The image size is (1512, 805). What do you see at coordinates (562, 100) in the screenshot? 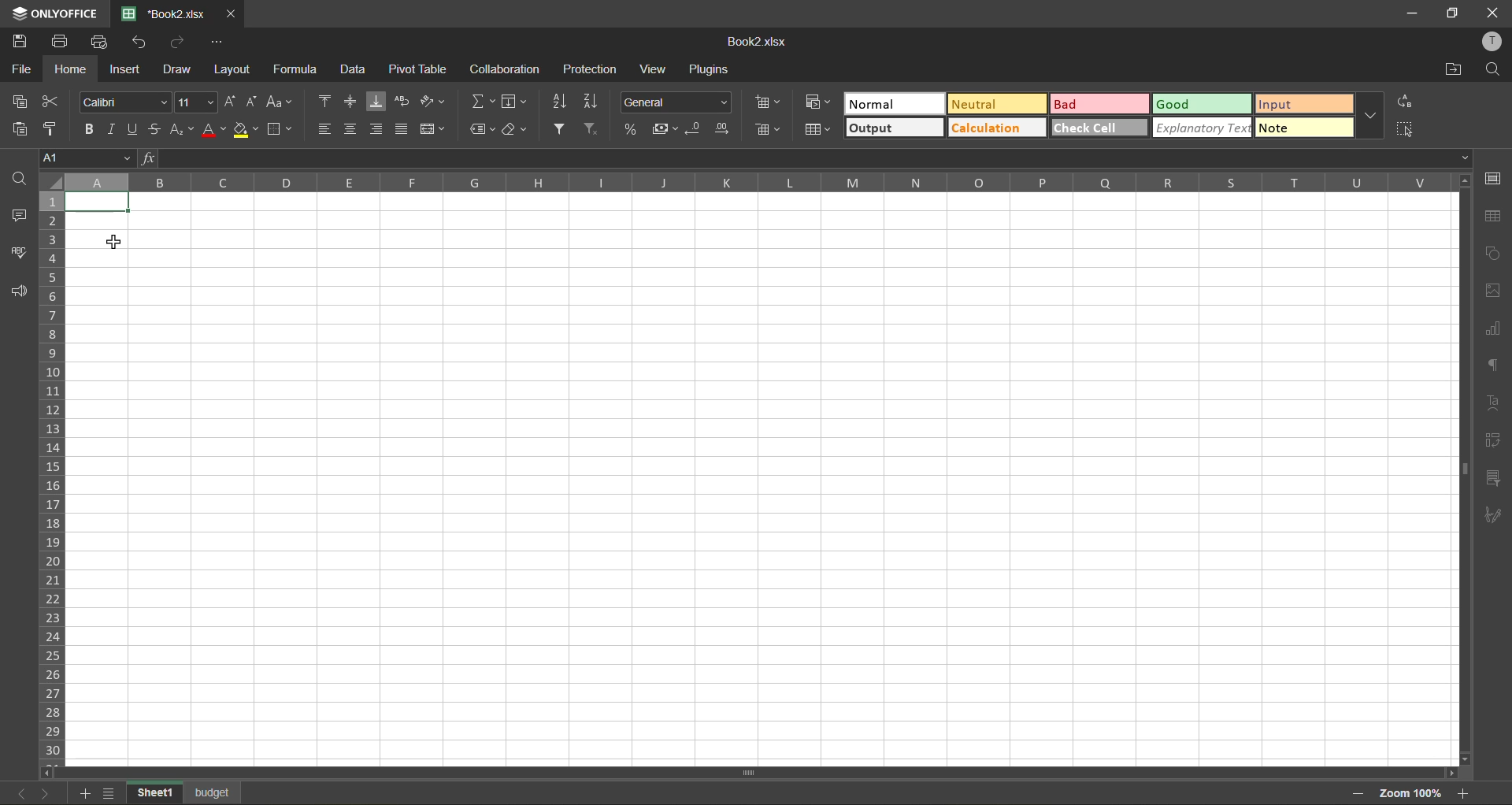
I see `sort ascending` at bounding box center [562, 100].